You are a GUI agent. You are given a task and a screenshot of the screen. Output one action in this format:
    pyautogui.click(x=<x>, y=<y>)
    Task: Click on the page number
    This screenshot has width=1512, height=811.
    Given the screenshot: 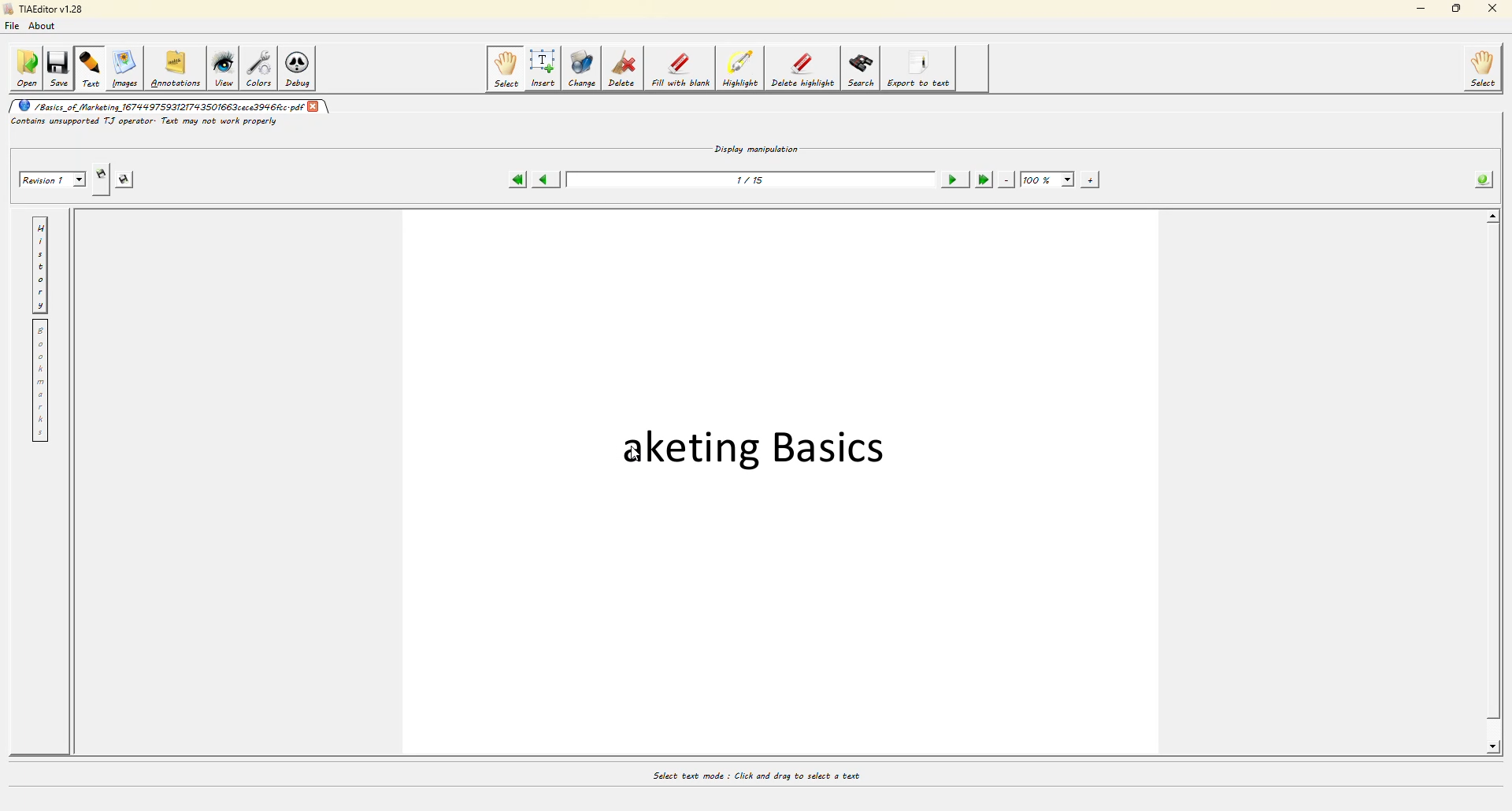 What is the action you would take?
    pyautogui.click(x=748, y=183)
    